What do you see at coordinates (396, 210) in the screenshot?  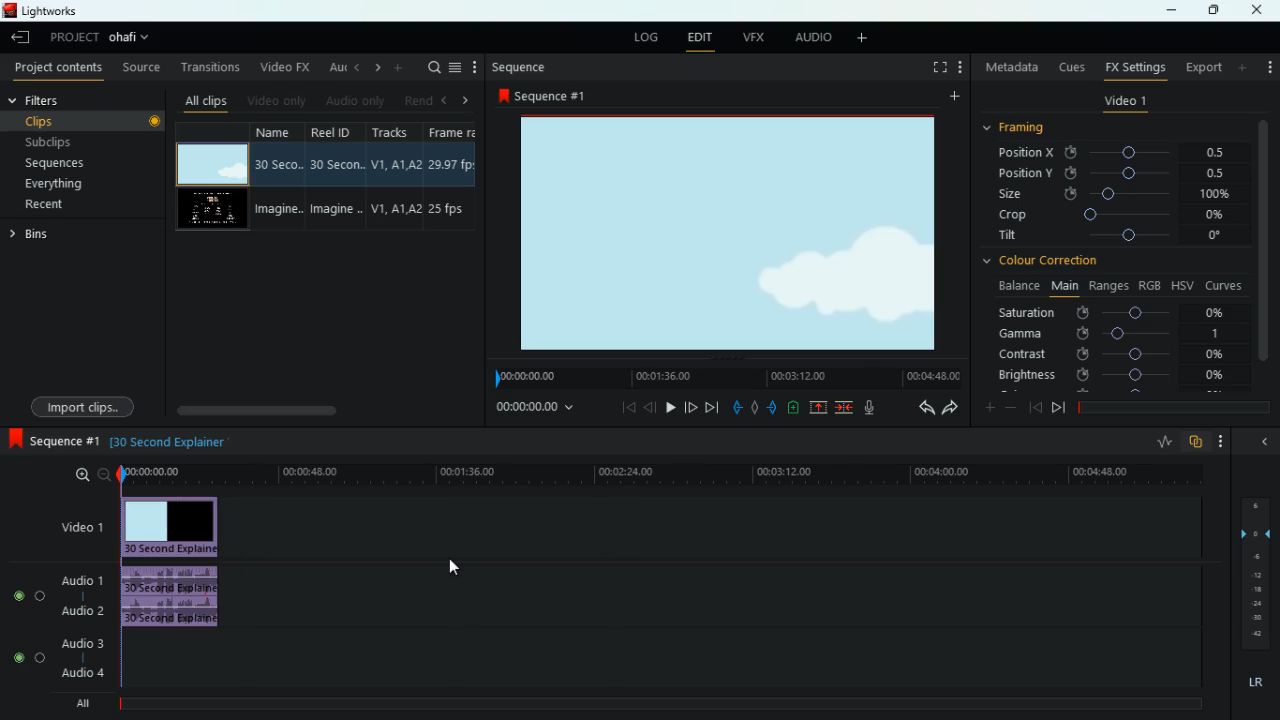 I see `V1, A1, A2` at bounding box center [396, 210].